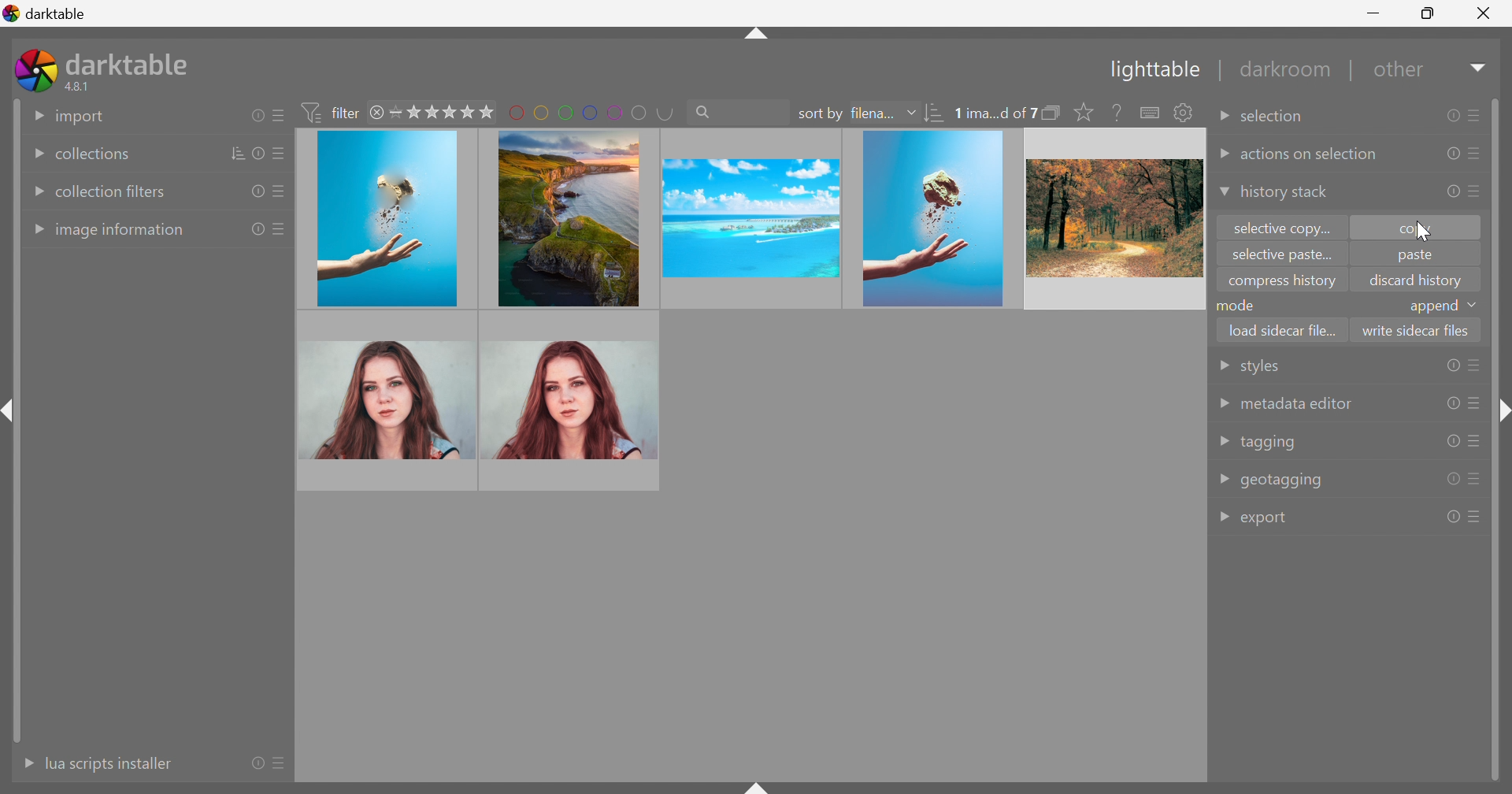 This screenshot has width=1512, height=794. I want to click on Drop Down, so click(1224, 441).